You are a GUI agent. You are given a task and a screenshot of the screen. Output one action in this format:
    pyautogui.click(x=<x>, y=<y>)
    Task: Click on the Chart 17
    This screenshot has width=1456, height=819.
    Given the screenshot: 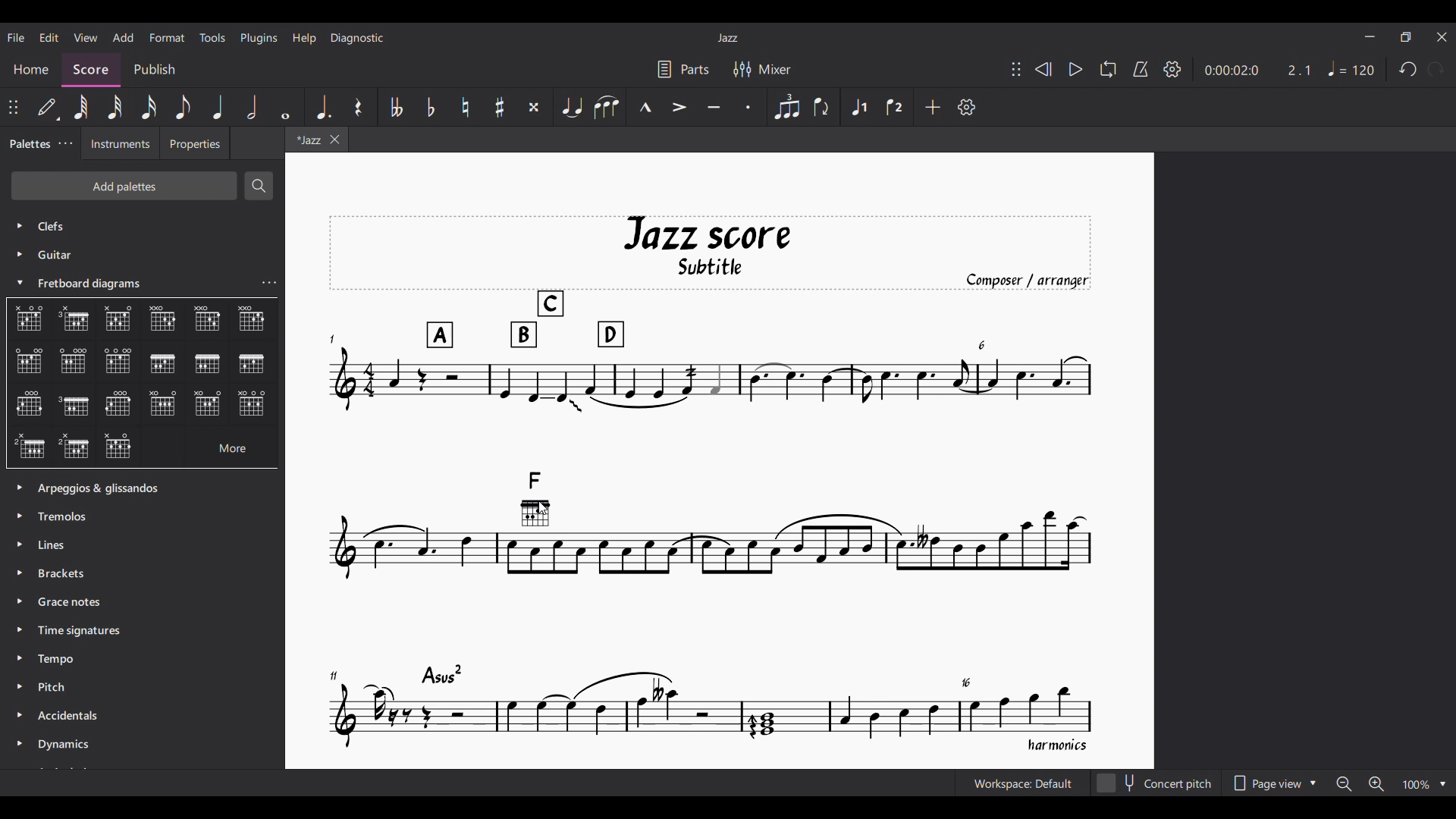 What is the action you would take?
    pyautogui.click(x=29, y=444)
    